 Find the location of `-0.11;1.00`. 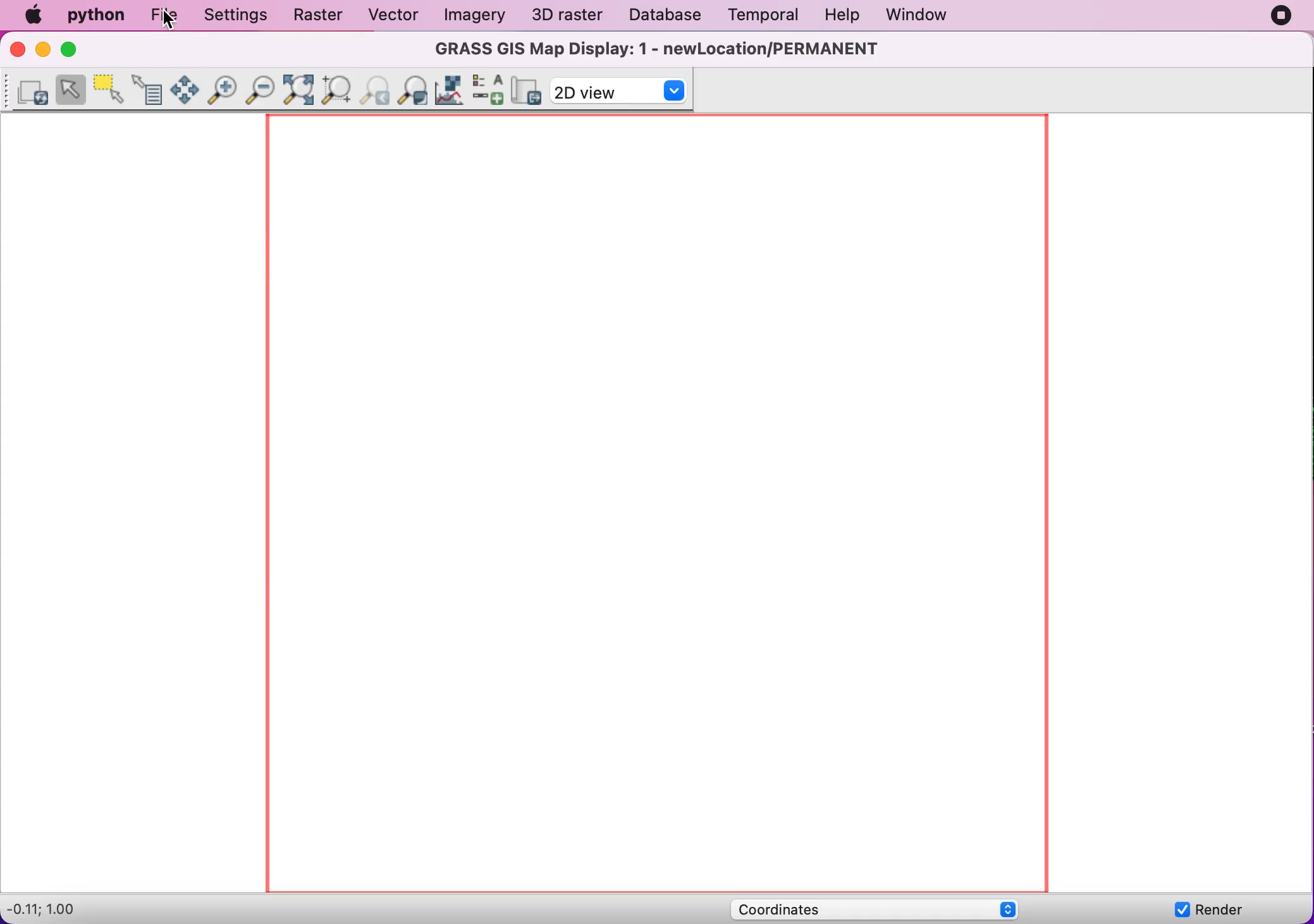

-0.11;1.00 is located at coordinates (67, 909).